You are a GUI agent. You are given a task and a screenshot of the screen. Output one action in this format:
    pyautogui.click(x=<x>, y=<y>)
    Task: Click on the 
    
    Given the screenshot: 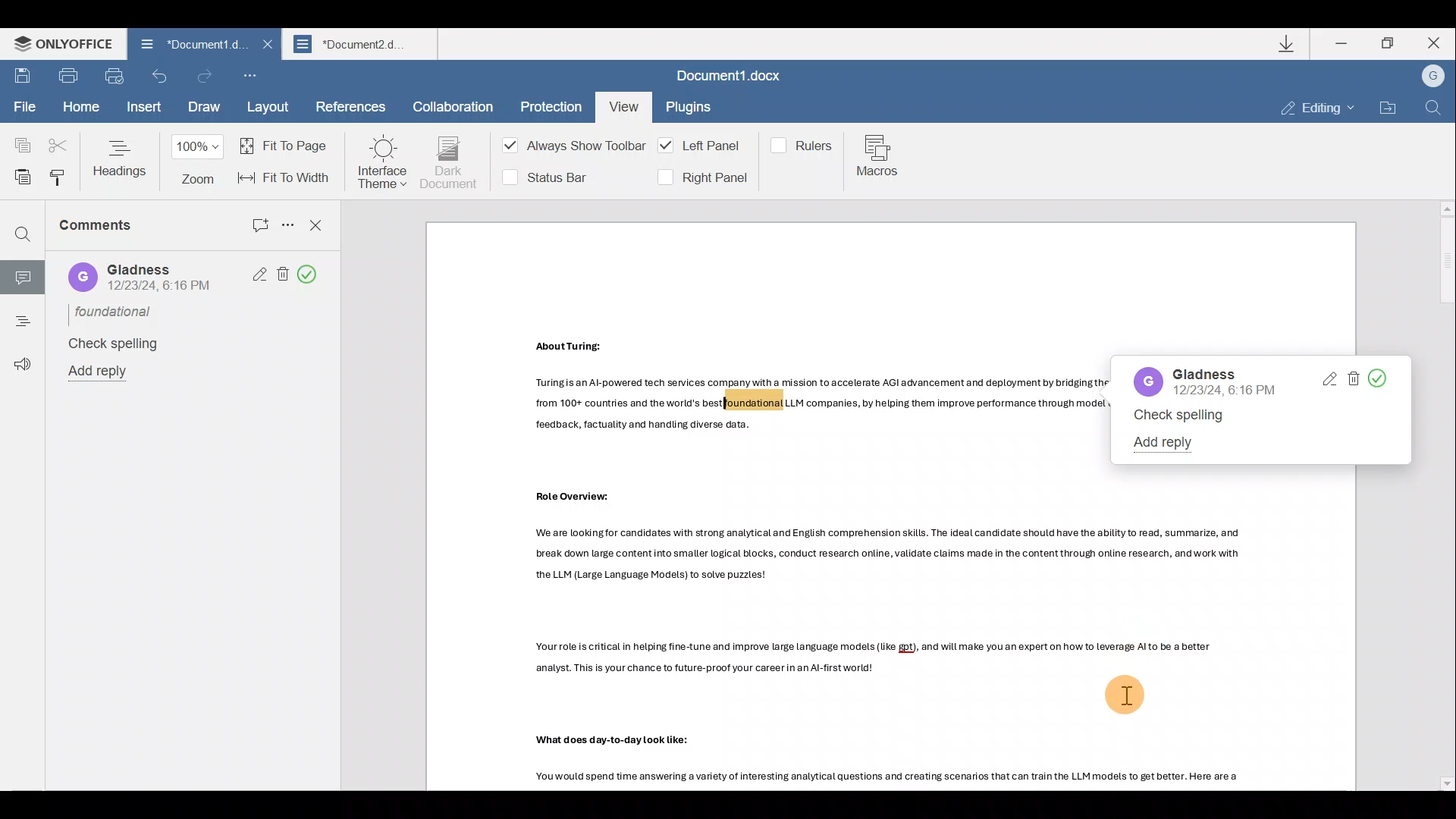 What is the action you would take?
    pyautogui.click(x=573, y=347)
    